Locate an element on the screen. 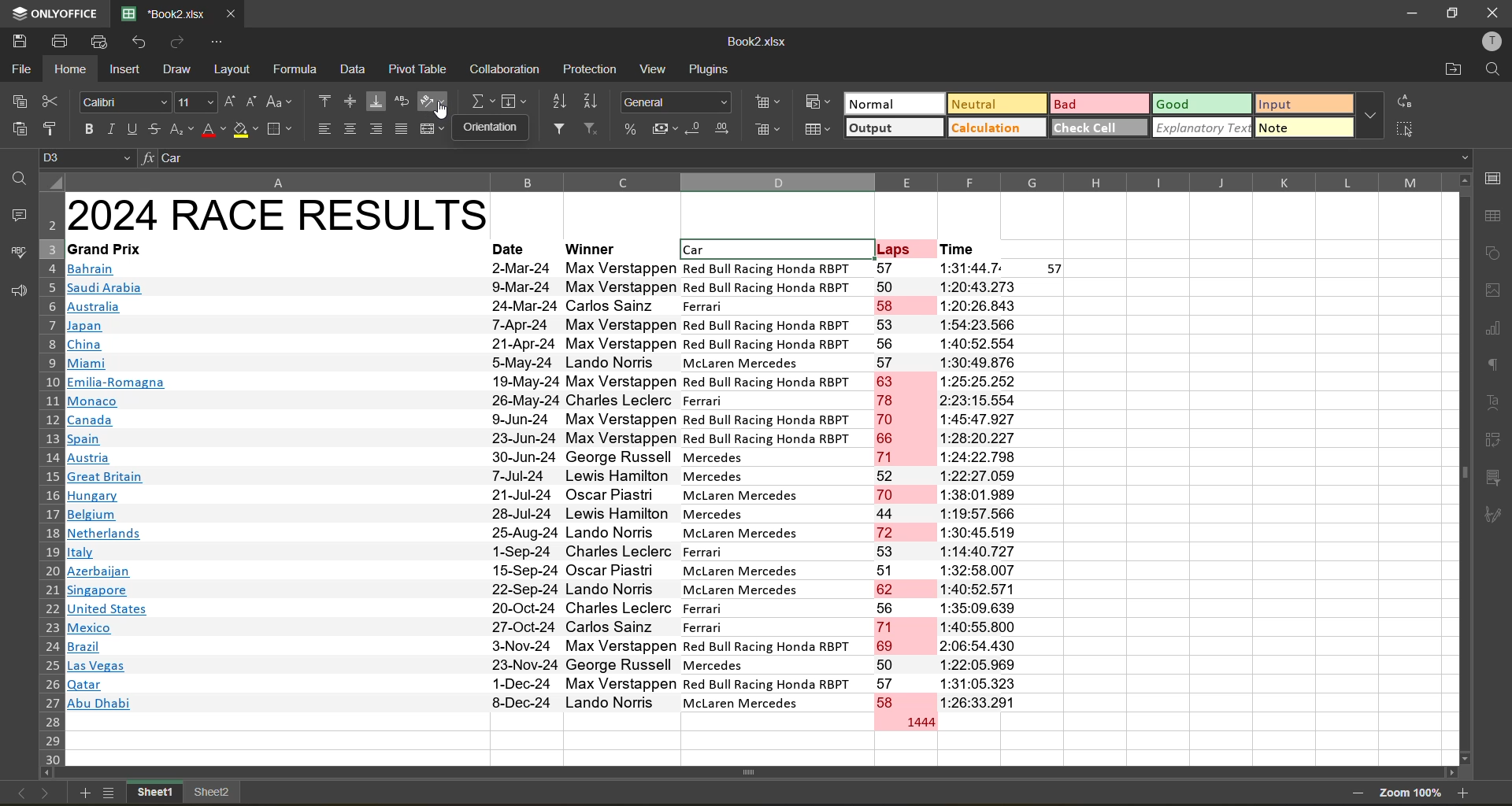 The height and width of the screenshot is (806, 1512). slicer is located at coordinates (1494, 477).